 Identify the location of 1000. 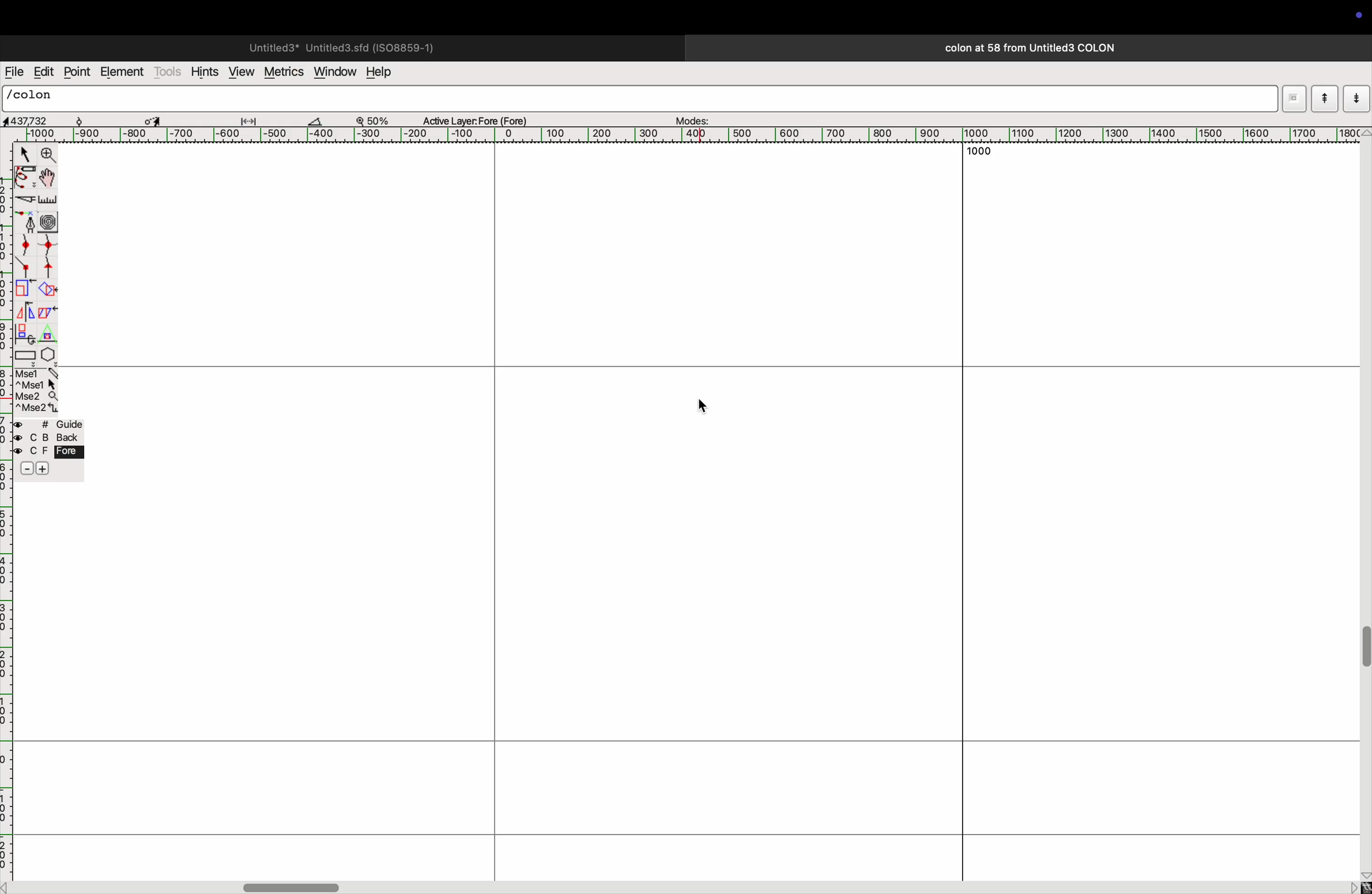
(981, 152).